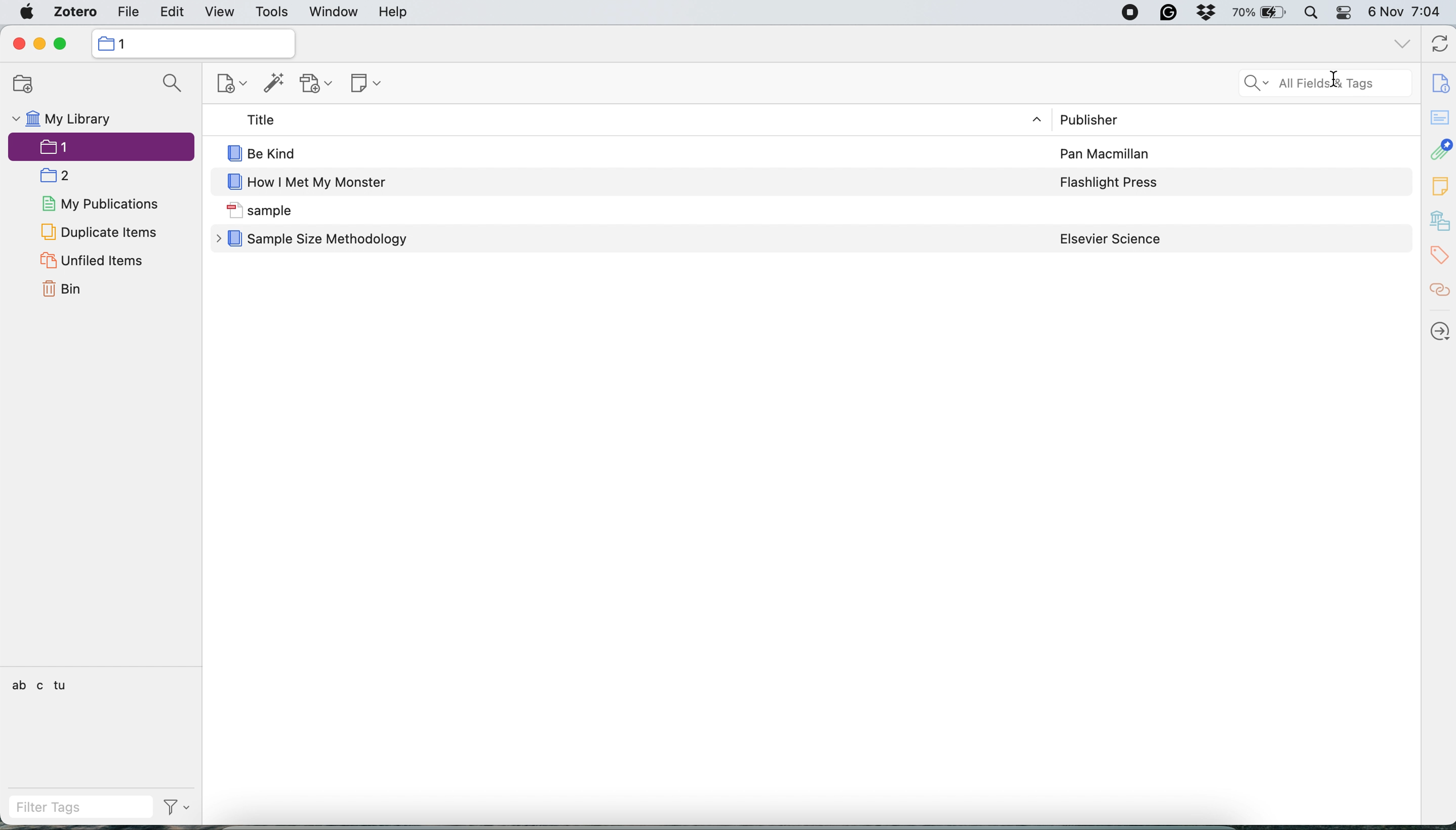 Image resolution: width=1456 pixels, height=830 pixels. Describe the element at coordinates (1439, 293) in the screenshot. I see `related` at that location.